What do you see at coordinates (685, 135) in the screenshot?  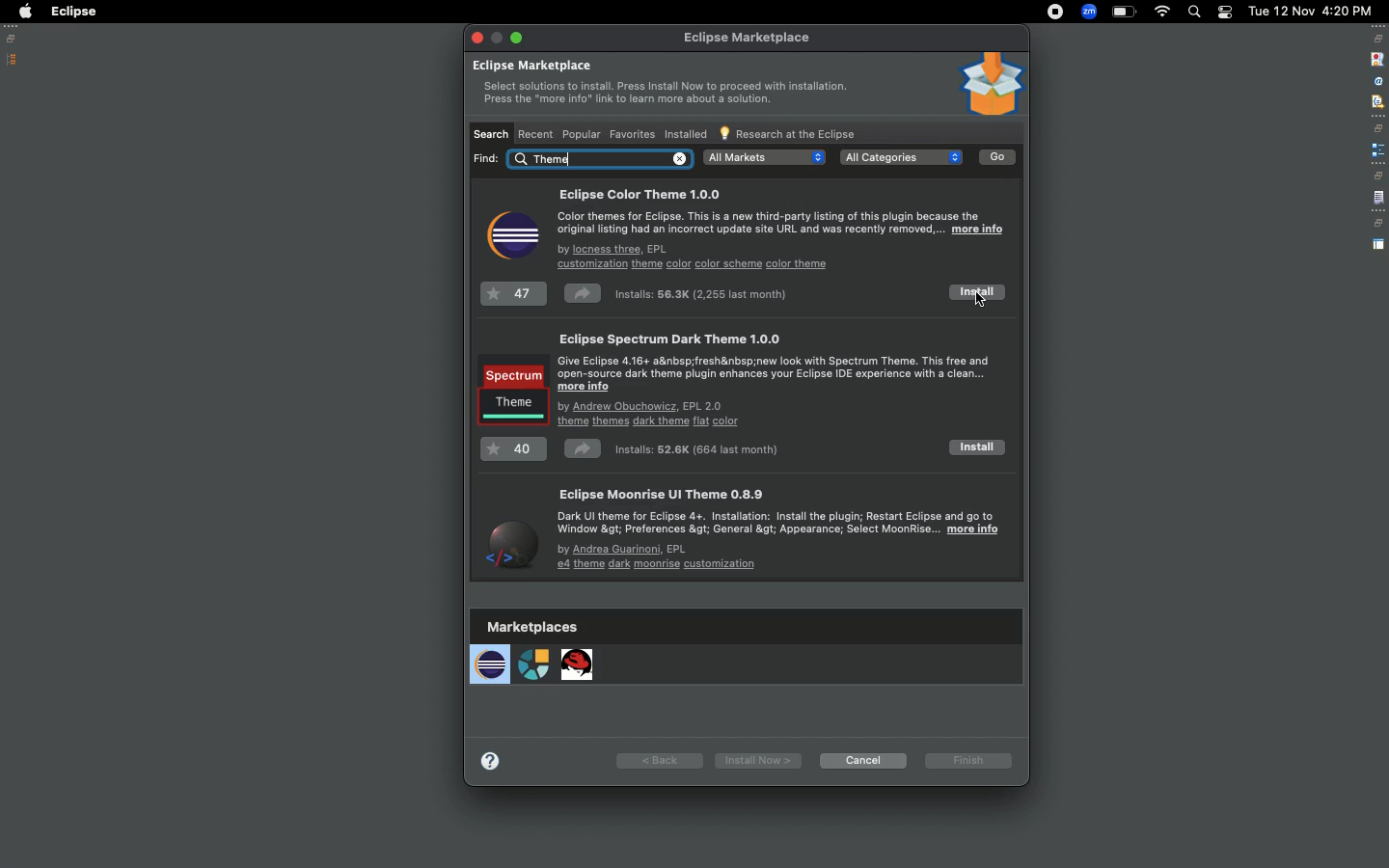 I see `Installed` at bounding box center [685, 135].